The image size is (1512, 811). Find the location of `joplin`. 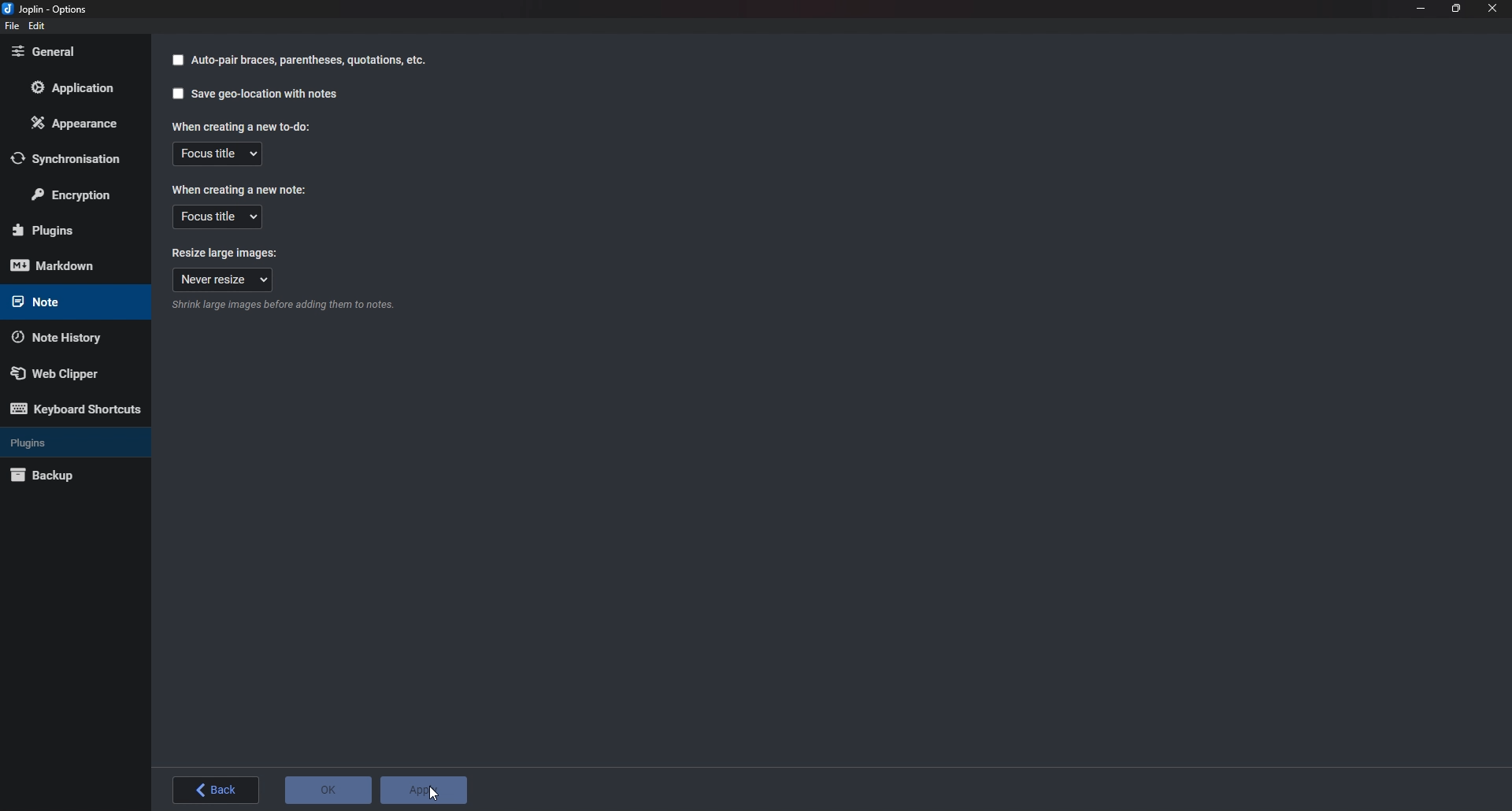

joplin is located at coordinates (50, 8).